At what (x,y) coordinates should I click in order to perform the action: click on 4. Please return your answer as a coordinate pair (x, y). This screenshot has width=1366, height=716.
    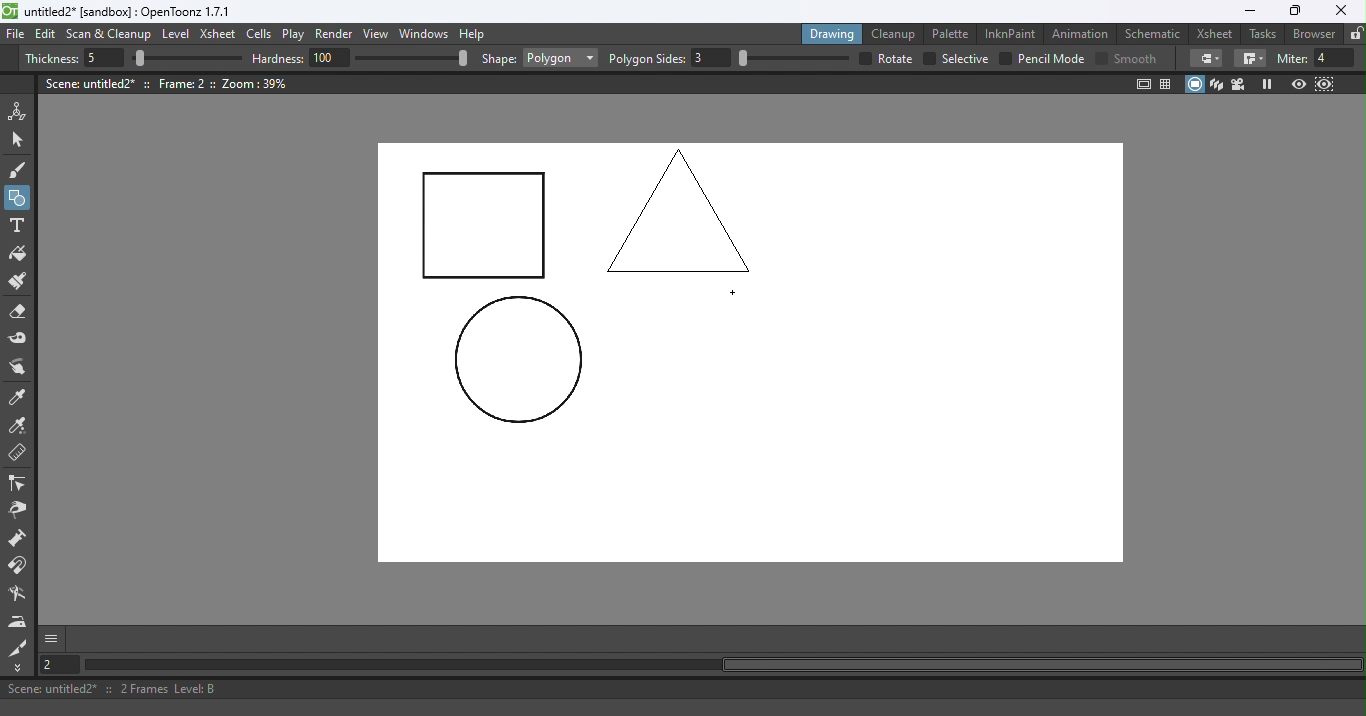
    Looking at the image, I should click on (1335, 58).